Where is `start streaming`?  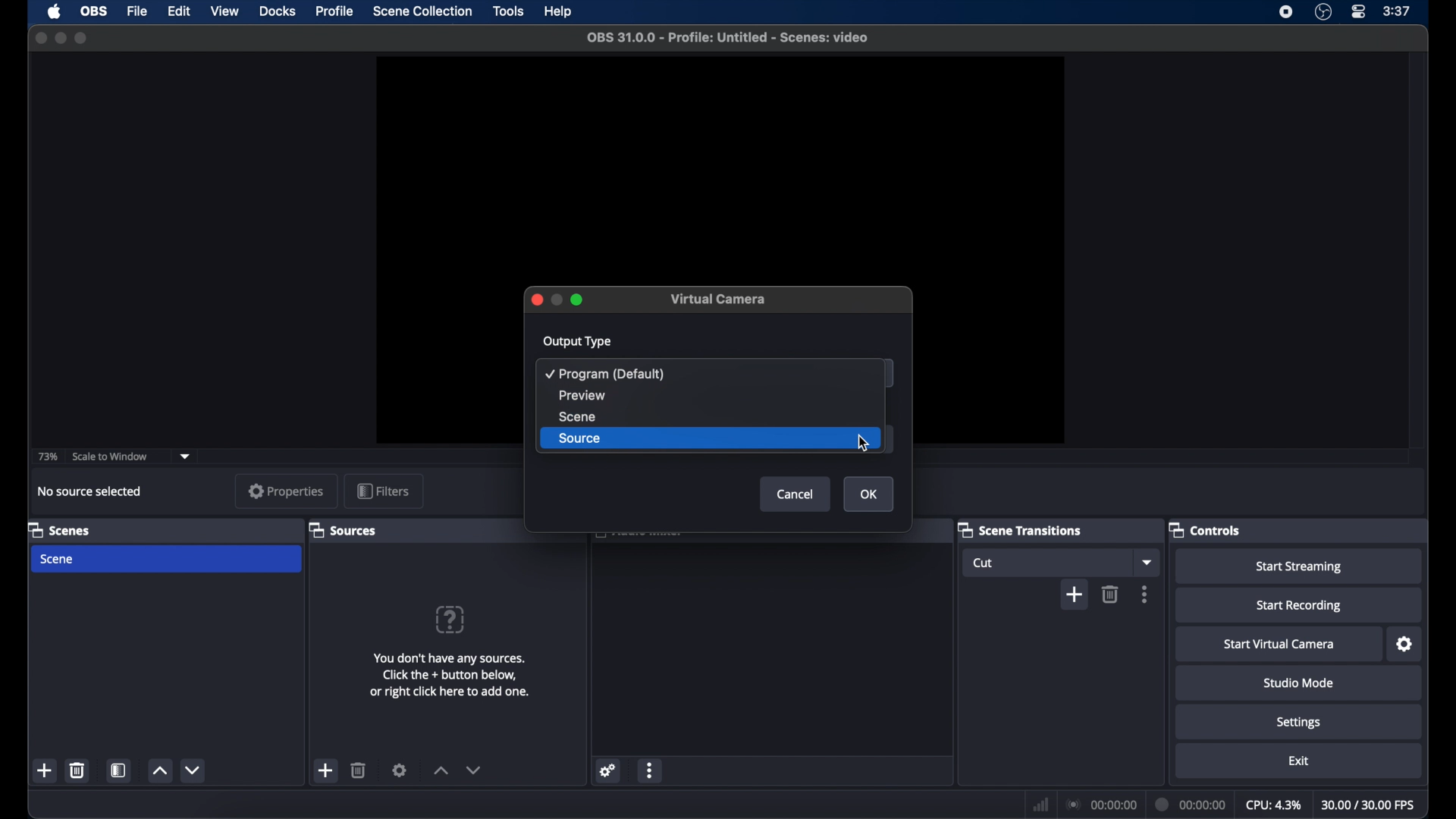 start streaming is located at coordinates (1298, 567).